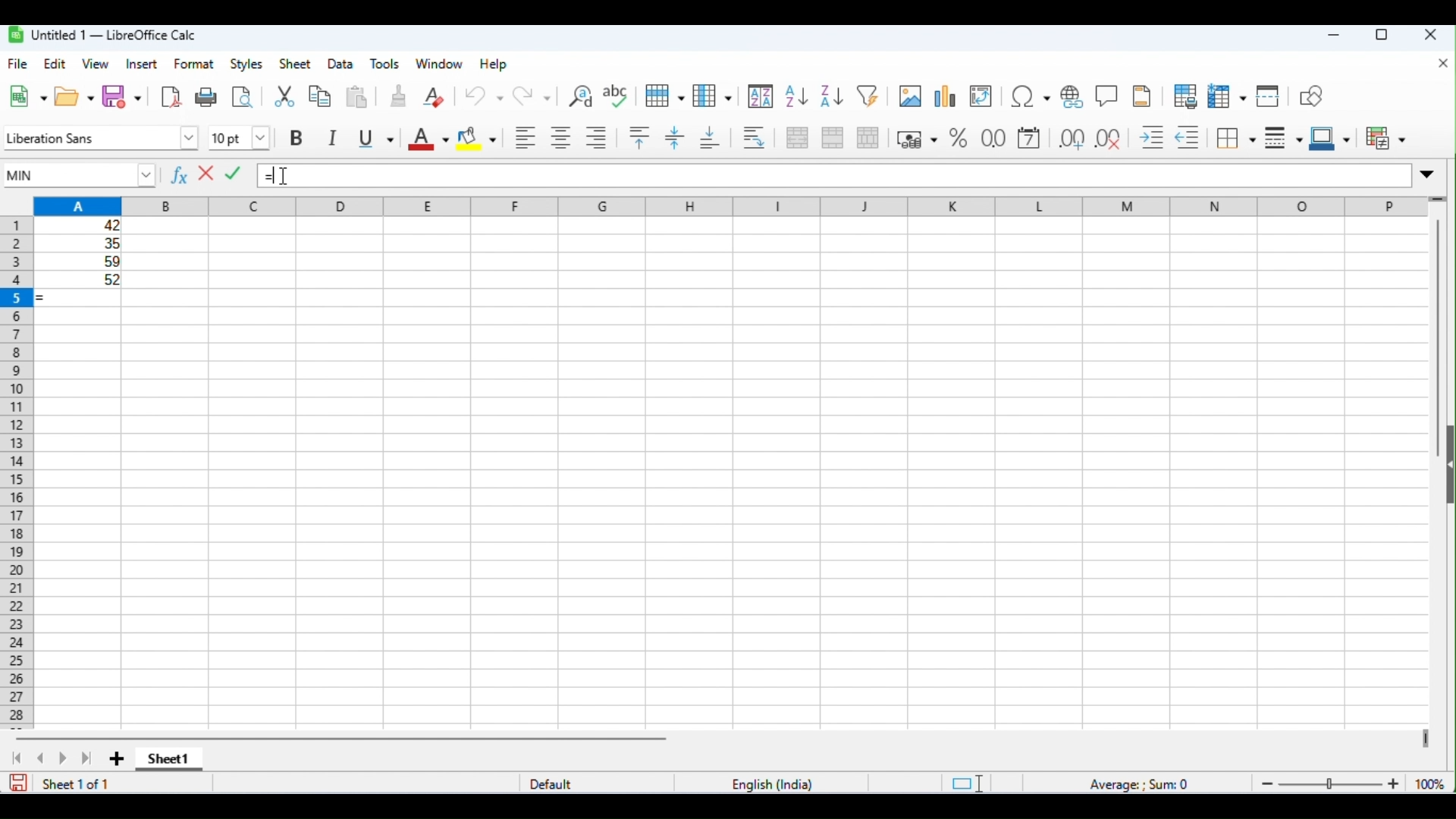  Describe the element at coordinates (51, 298) in the screenshot. I see `= appeared ` at that location.